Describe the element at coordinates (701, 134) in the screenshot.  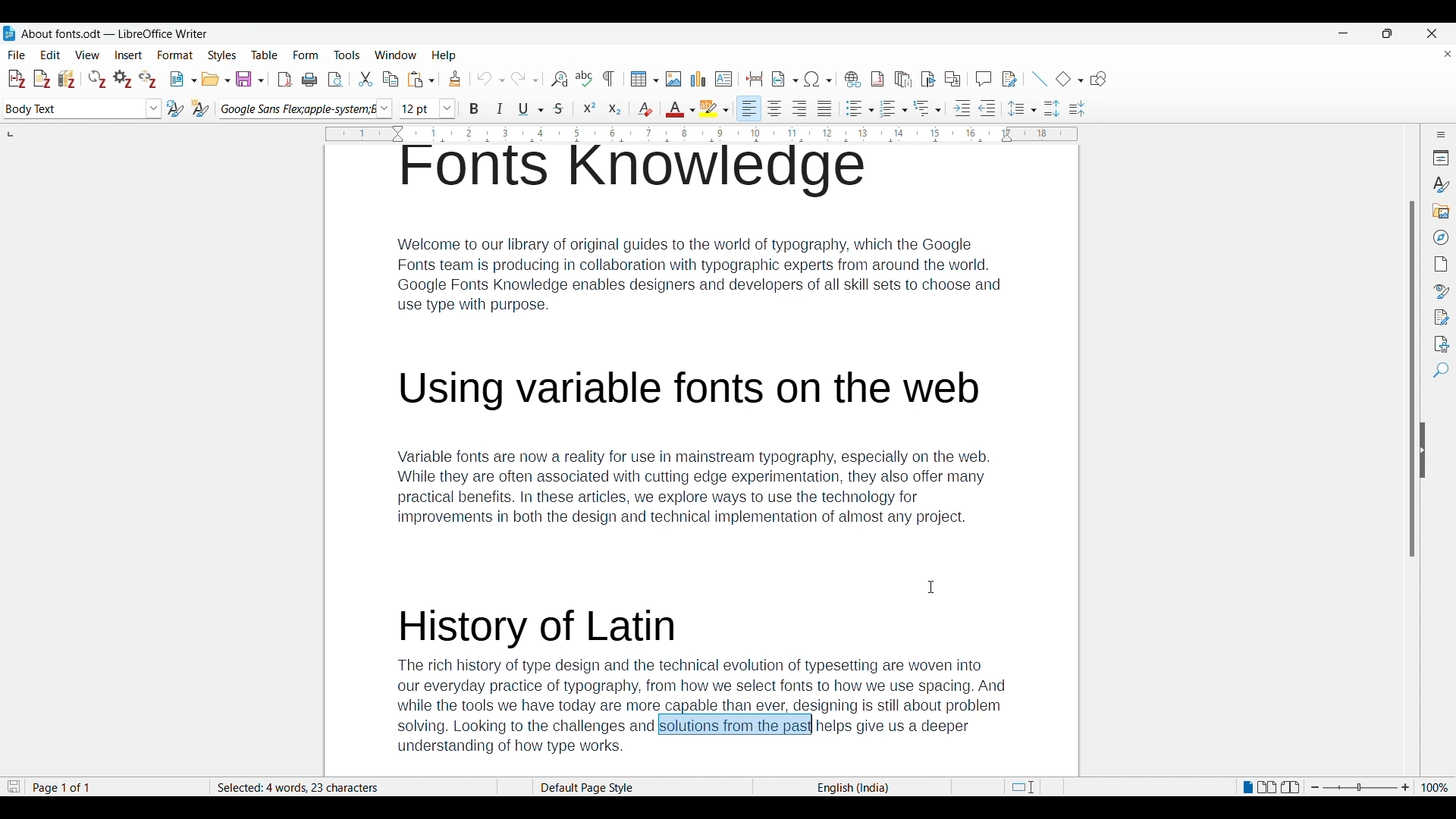
I see `Page horizontal ruler` at that location.